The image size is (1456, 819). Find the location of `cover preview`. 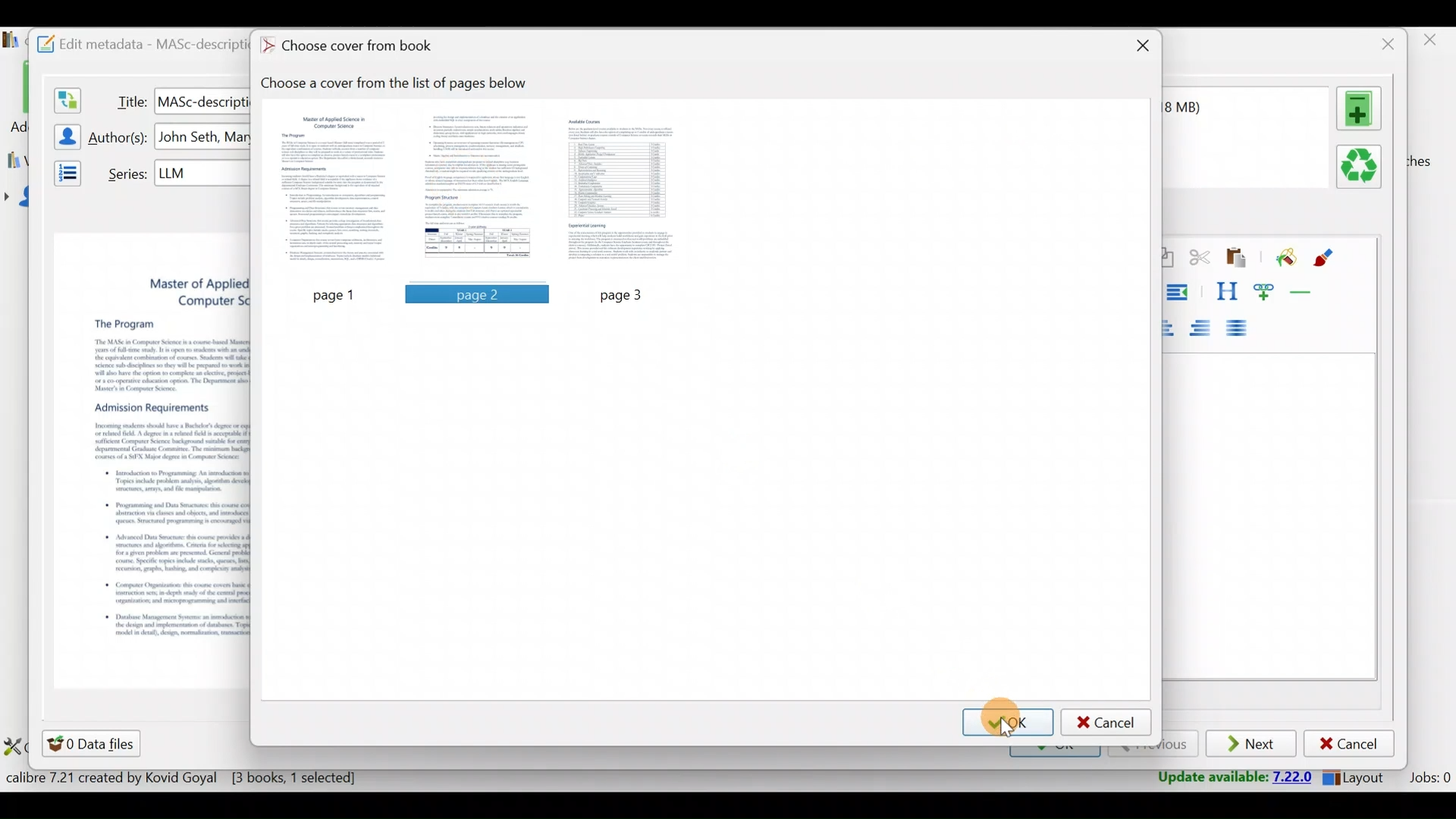

cover preview is located at coordinates (152, 438).